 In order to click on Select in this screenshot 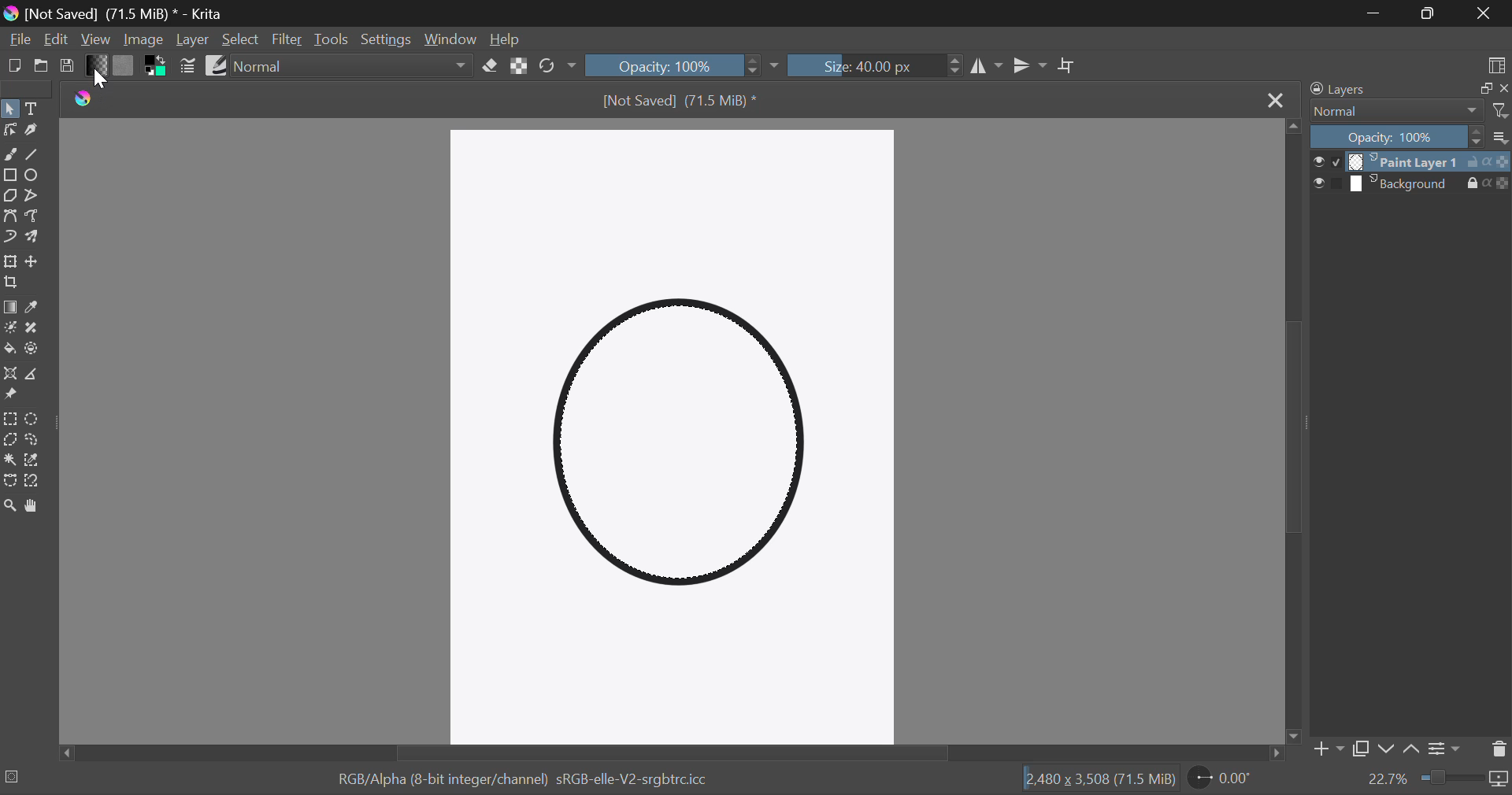, I will do `click(241, 42)`.